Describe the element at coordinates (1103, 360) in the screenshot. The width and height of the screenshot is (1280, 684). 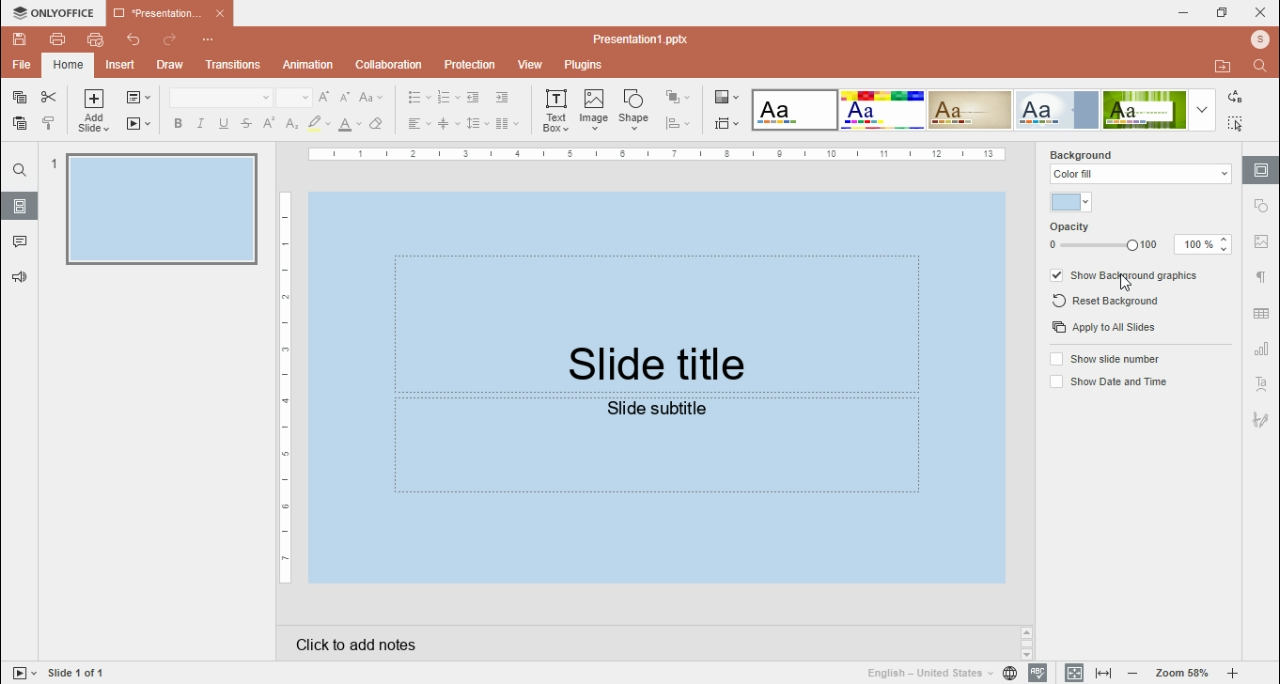
I see `checkbox: show slide number` at that location.